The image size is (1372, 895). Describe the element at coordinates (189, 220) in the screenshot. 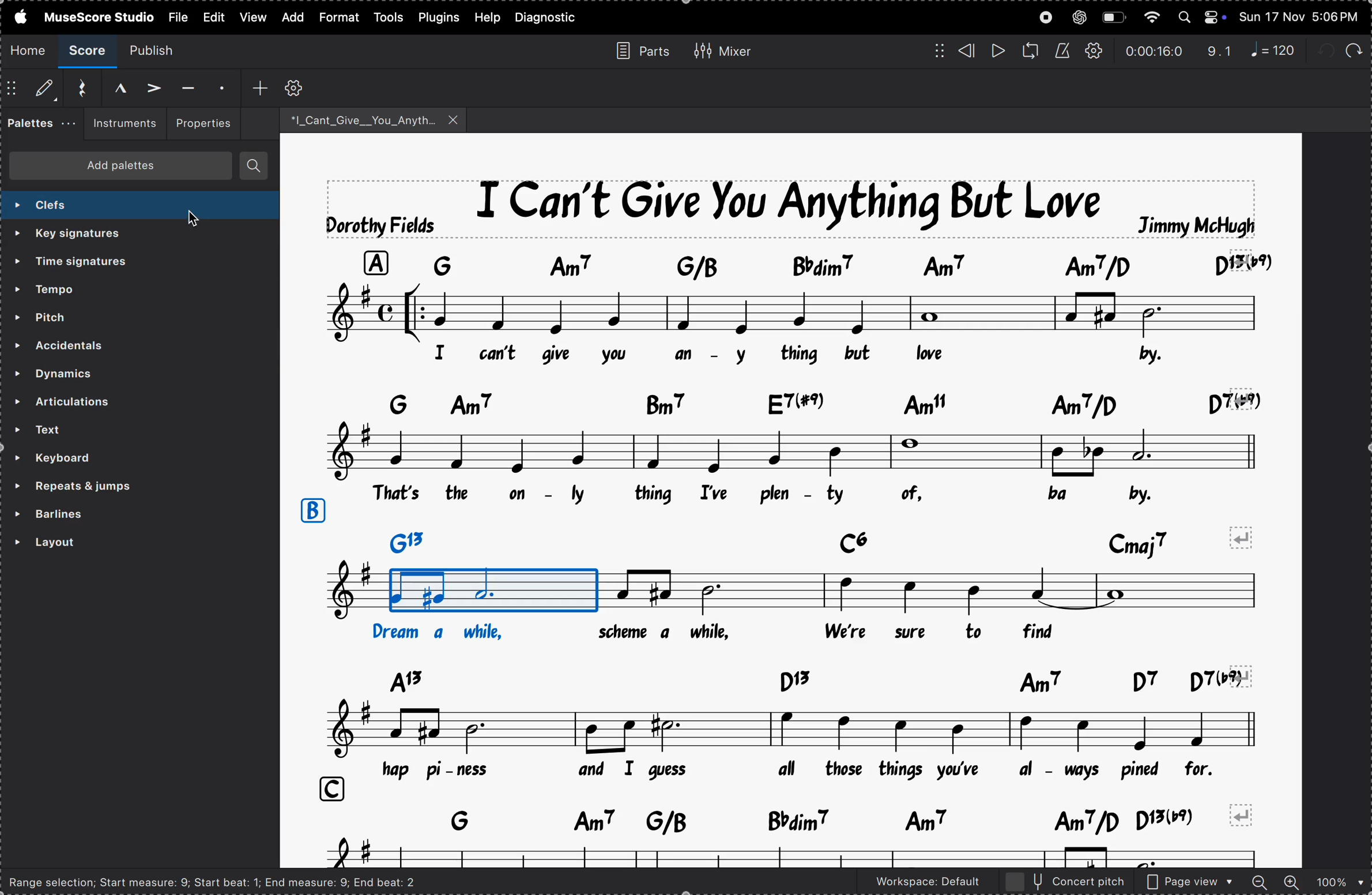

I see `cursor` at that location.